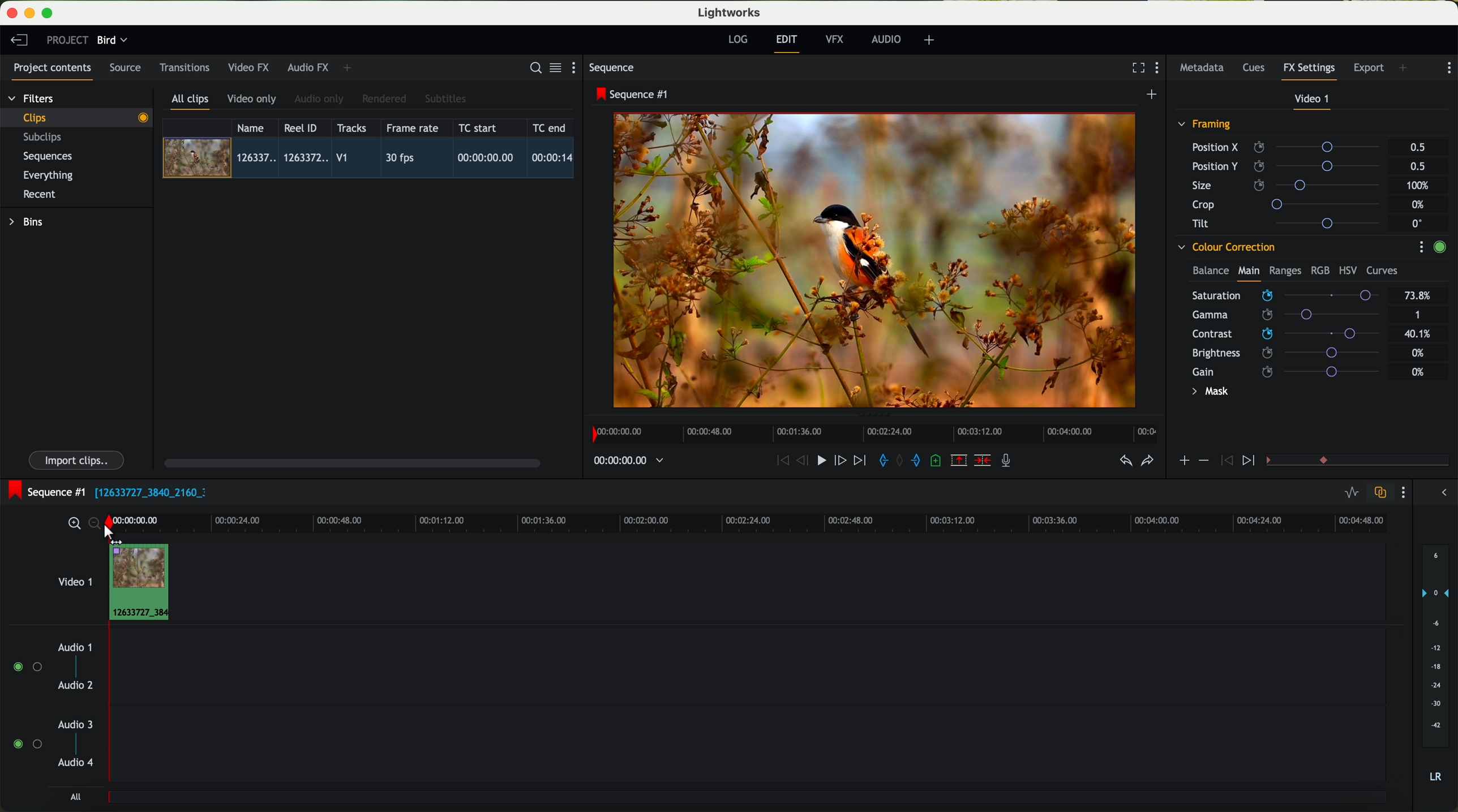 The image size is (1458, 812). What do you see at coordinates (1295, 353) in the screenshot?
I see `brightness` at bounding box center [1295, 353].